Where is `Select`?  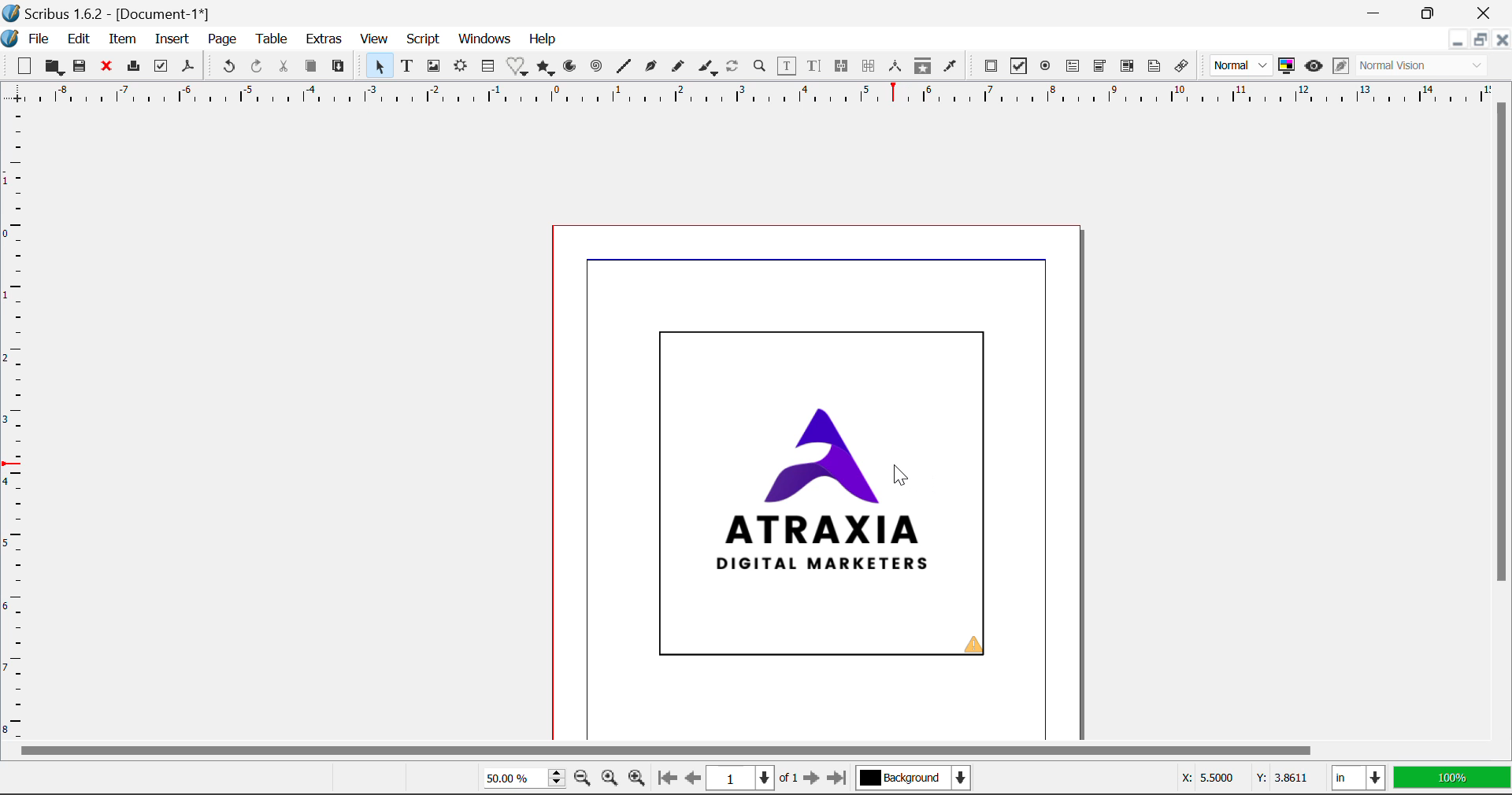
Select is located at coordinates (381, 68).